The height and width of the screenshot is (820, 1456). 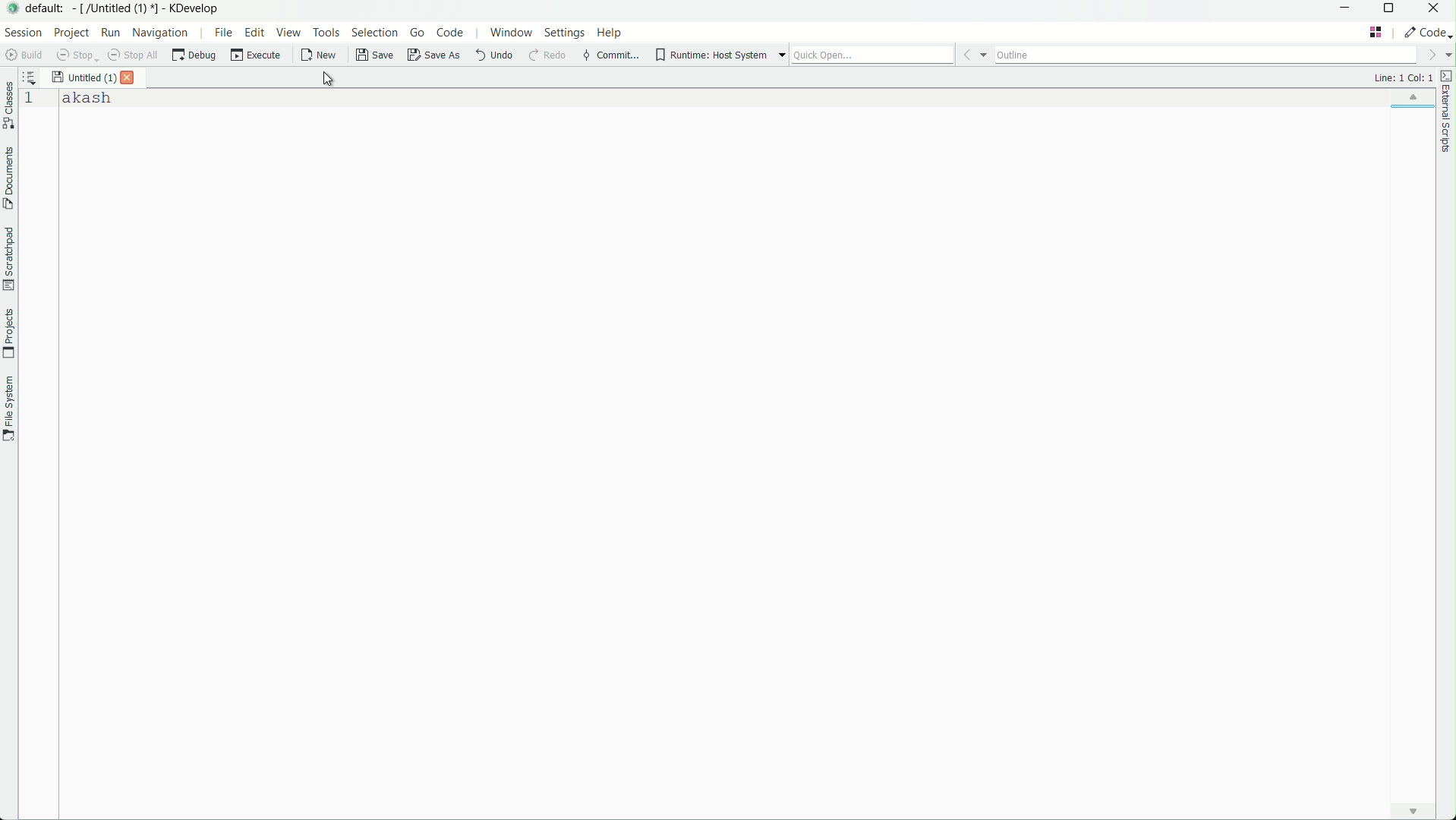 I want to click on classes, so click(x=9, y=106).